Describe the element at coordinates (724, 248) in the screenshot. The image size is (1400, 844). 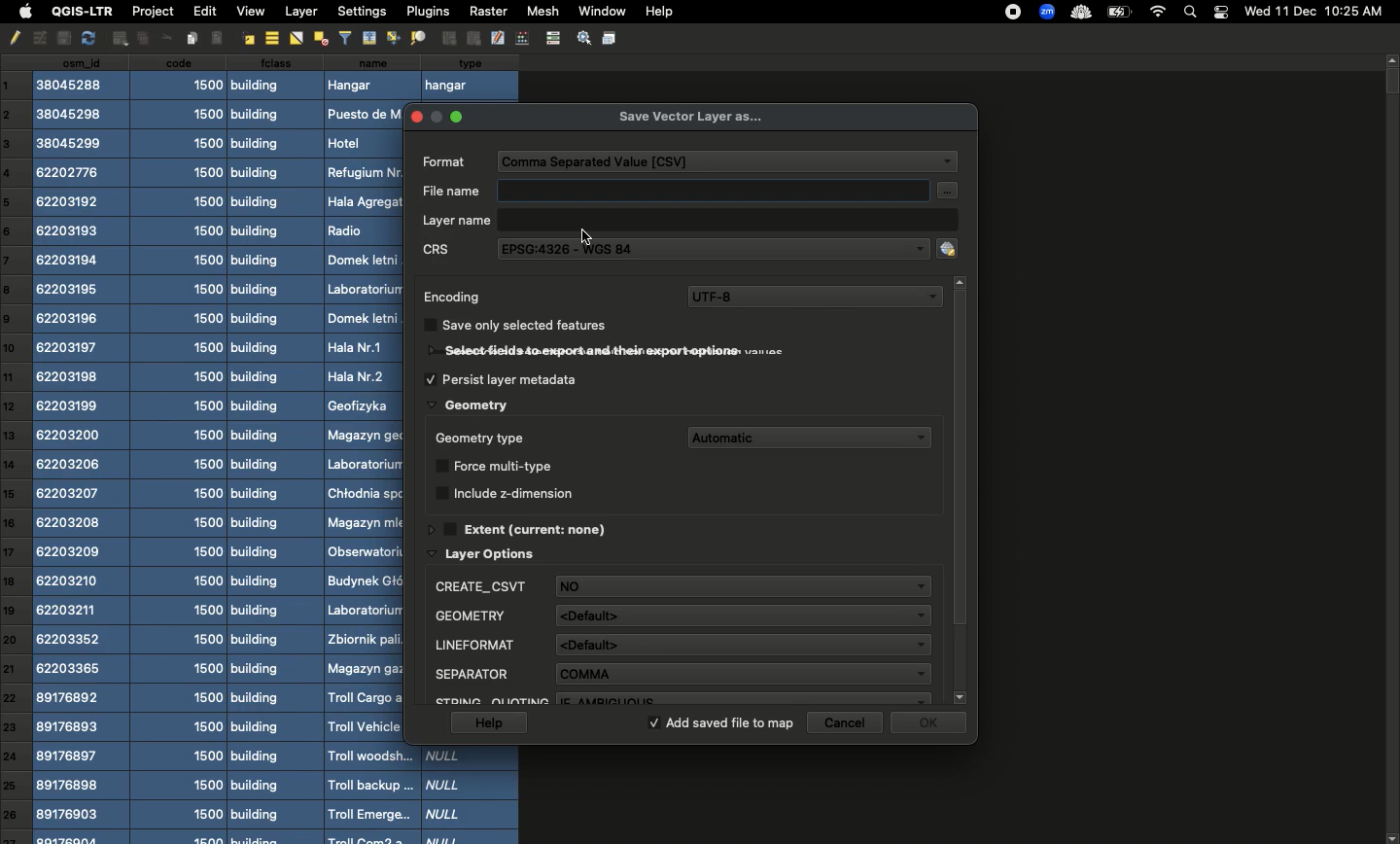
I see `EPSG` at that location.